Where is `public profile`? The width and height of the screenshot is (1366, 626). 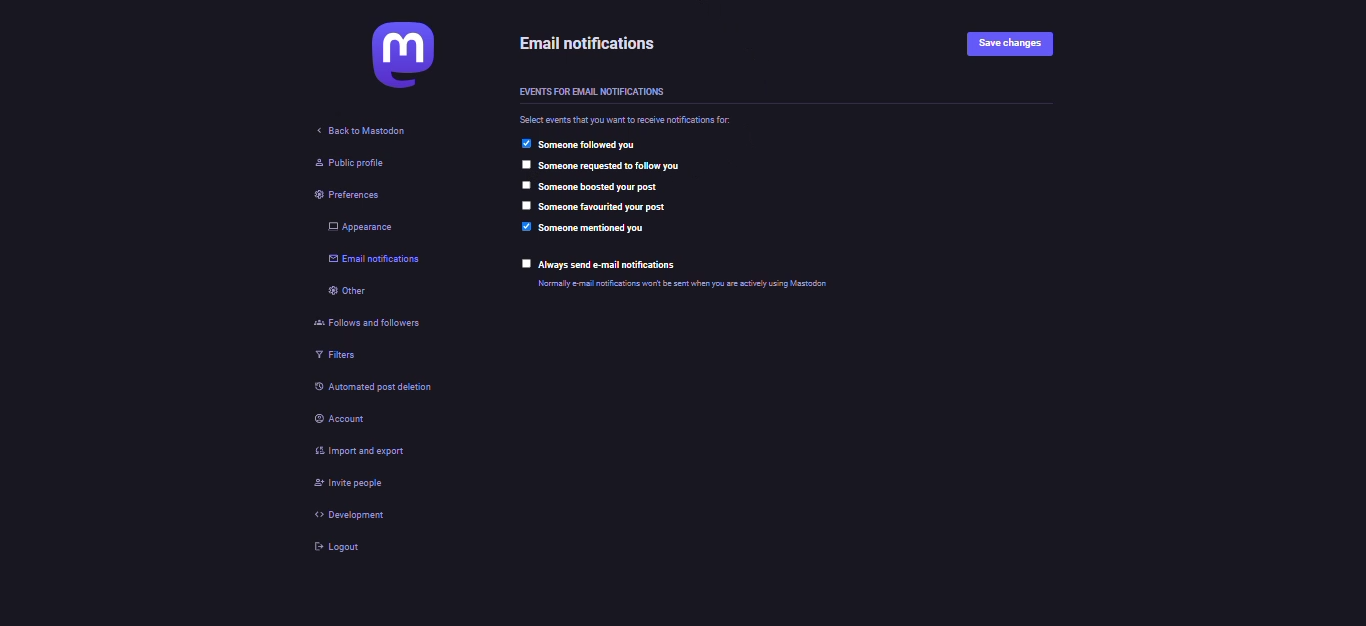
public profile is located at coordinates (338, 163).